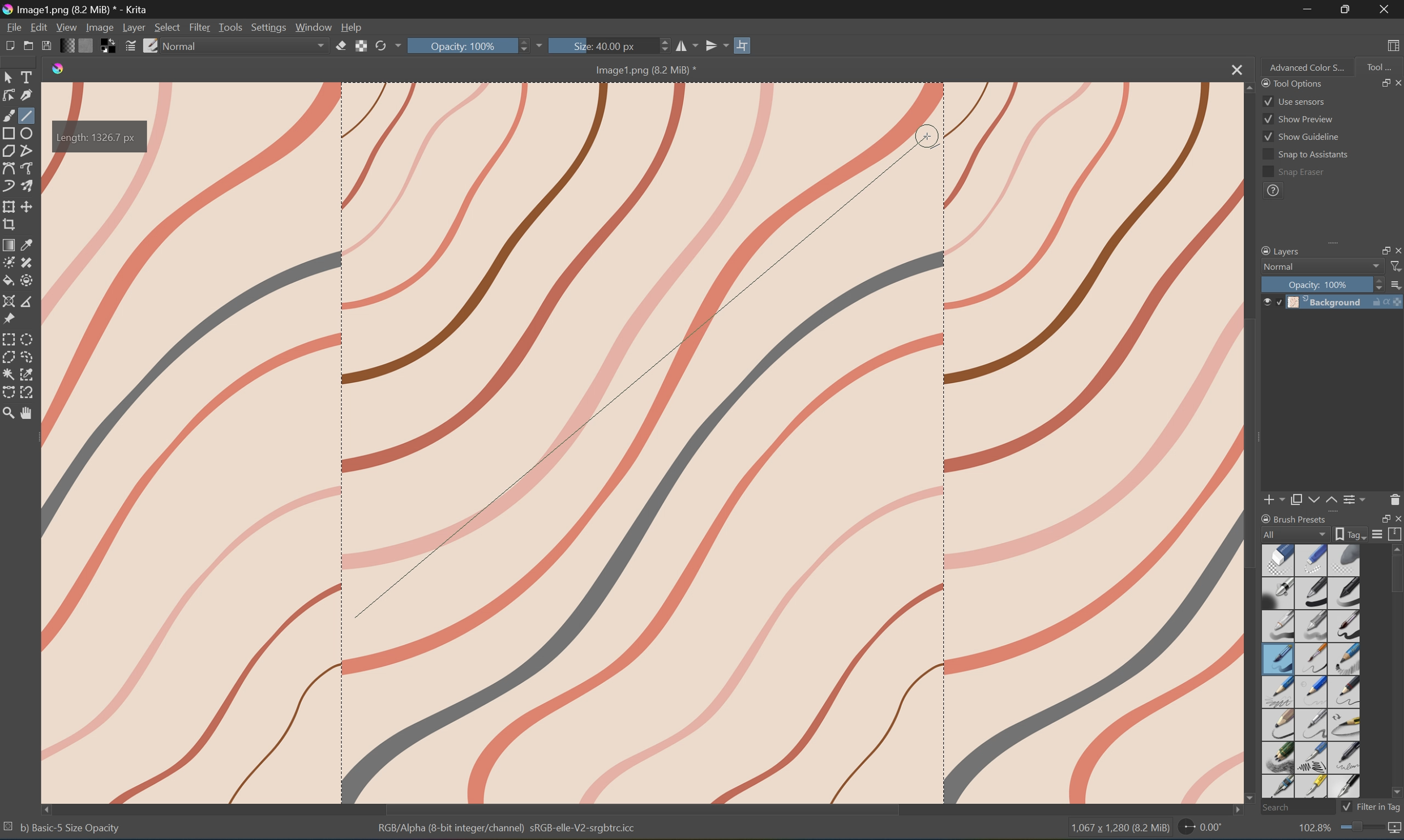 This screenshot has height=840, width=1404. What do you see at coordinates (1395, 499) in the screenshot?
I see `Delete` at bounding box center [1395, 499].